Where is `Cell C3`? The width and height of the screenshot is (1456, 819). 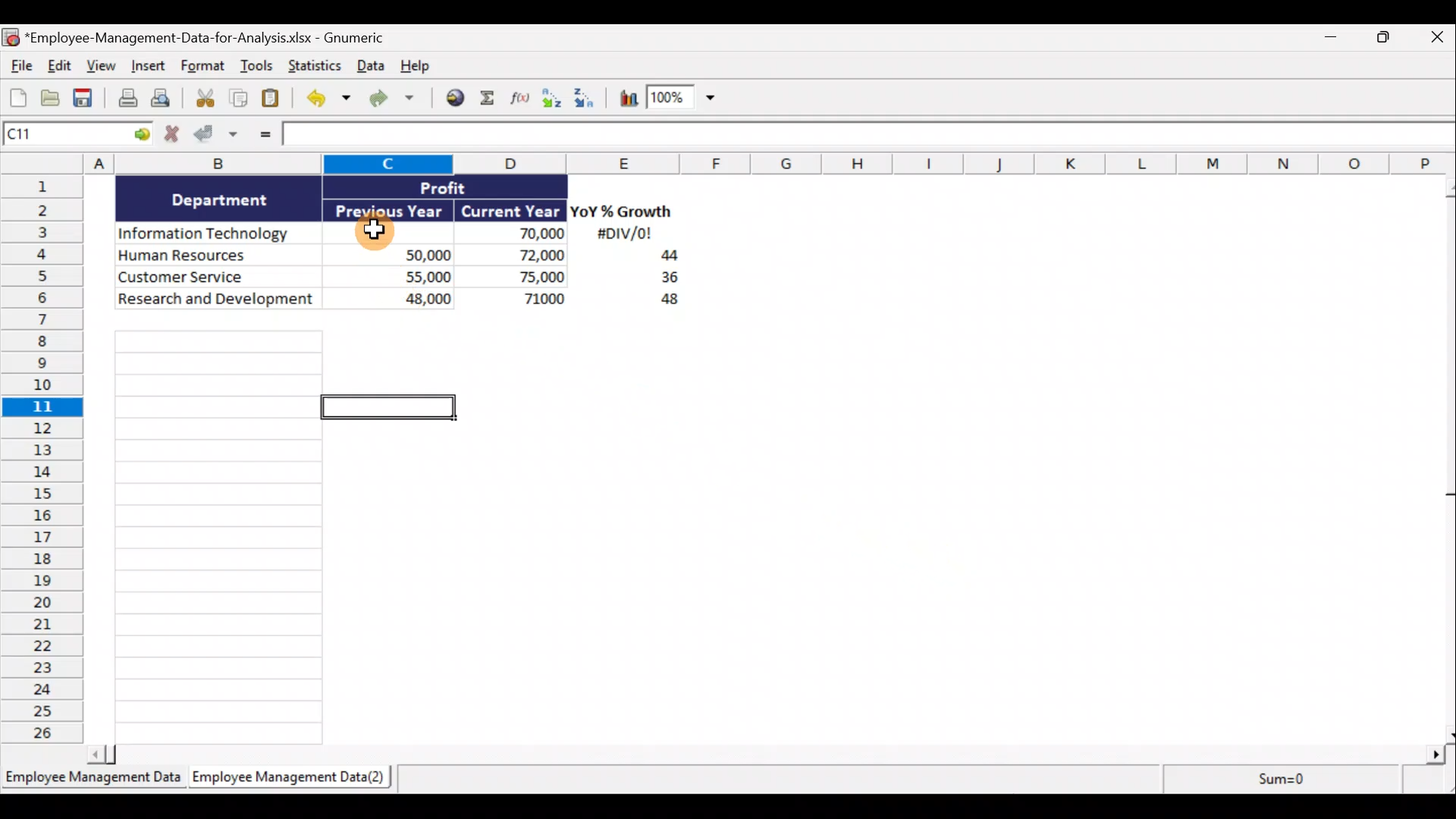 Cell C3 is located at coordinates (384, 231).